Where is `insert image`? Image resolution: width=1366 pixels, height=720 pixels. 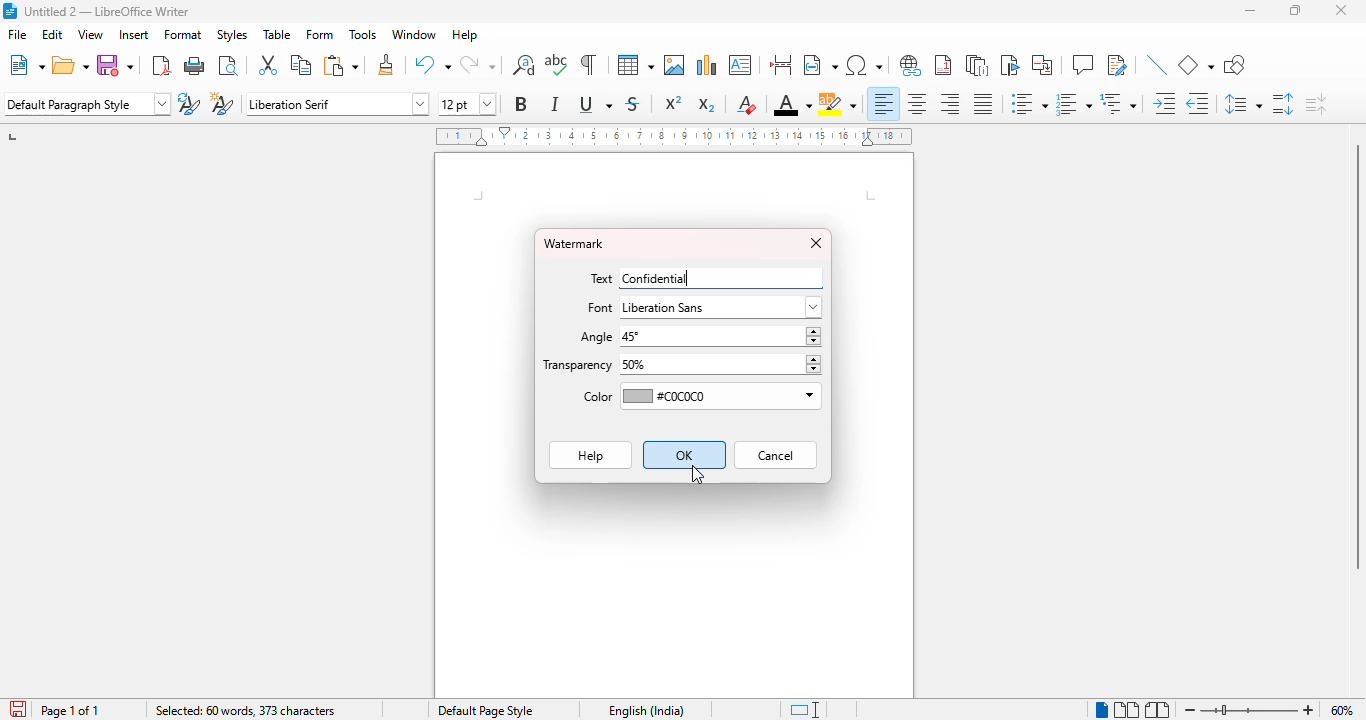 insert image is located at coordinates (674, 65).